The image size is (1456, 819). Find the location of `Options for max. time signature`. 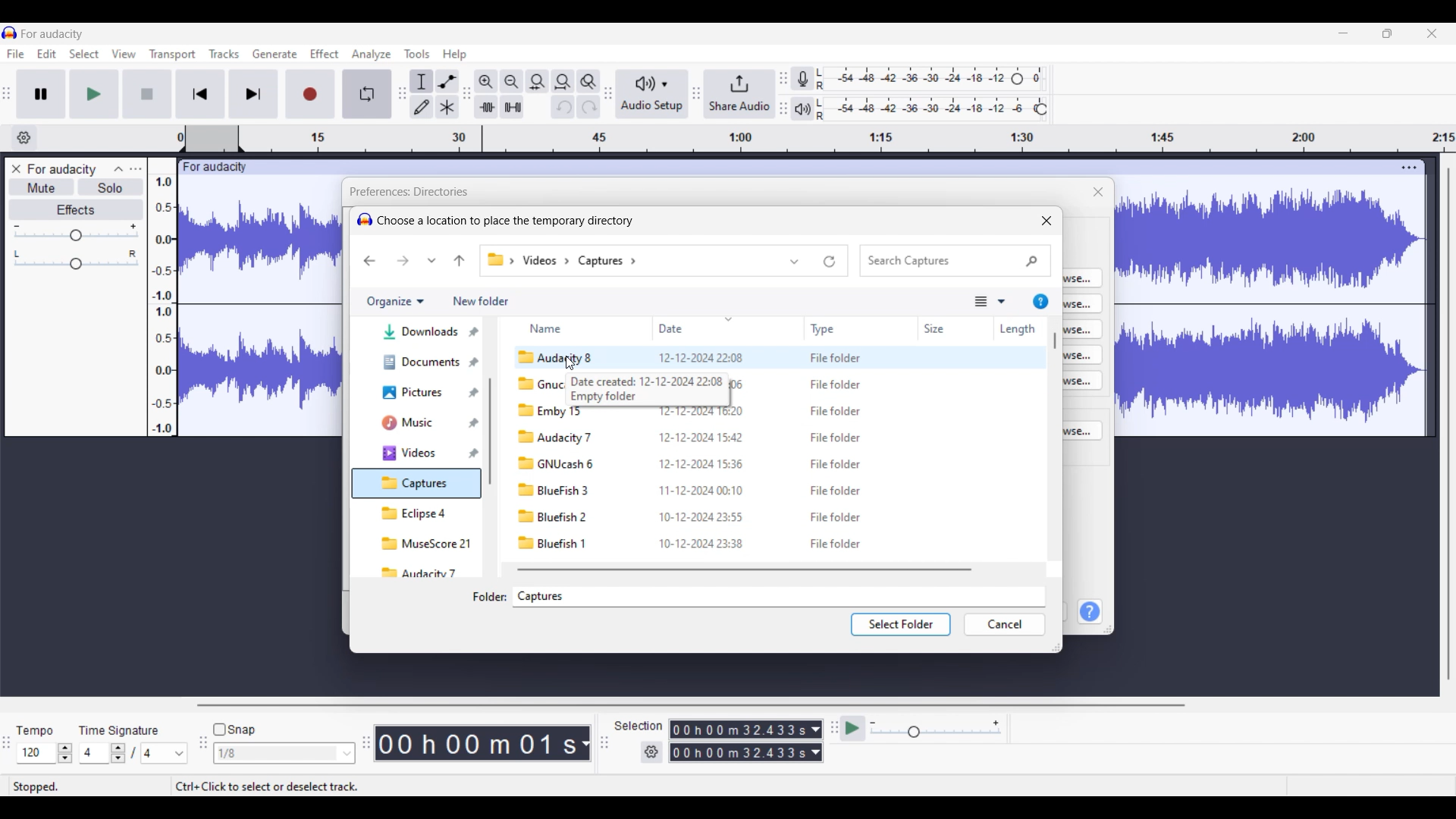

Options for max. time signature is located at coordinates (165, 753).